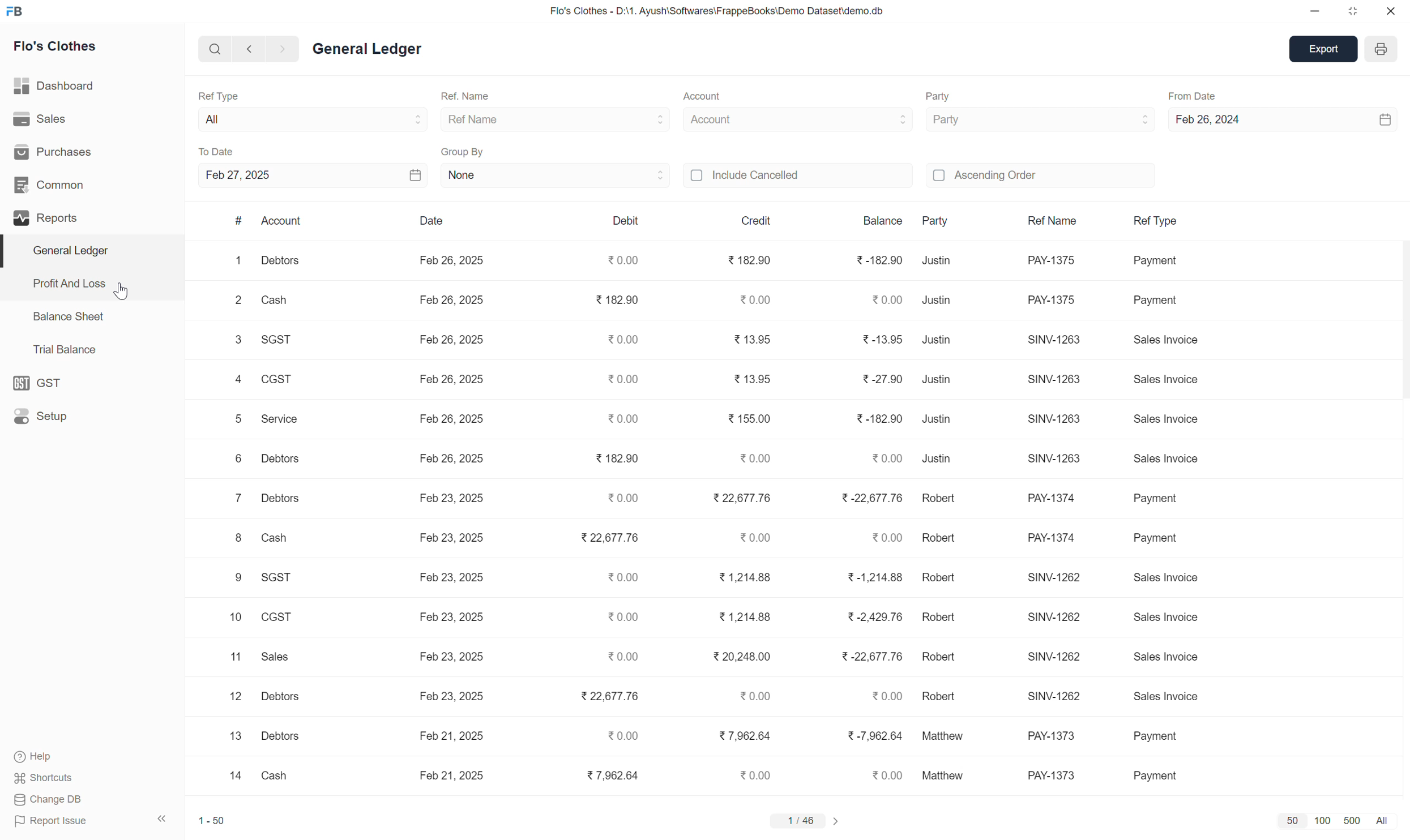 The width and height of the screenshot is (1410, 840). Describe the element at coordinates (879, 775) in the screenshot. I see `₹0.00` at that location.